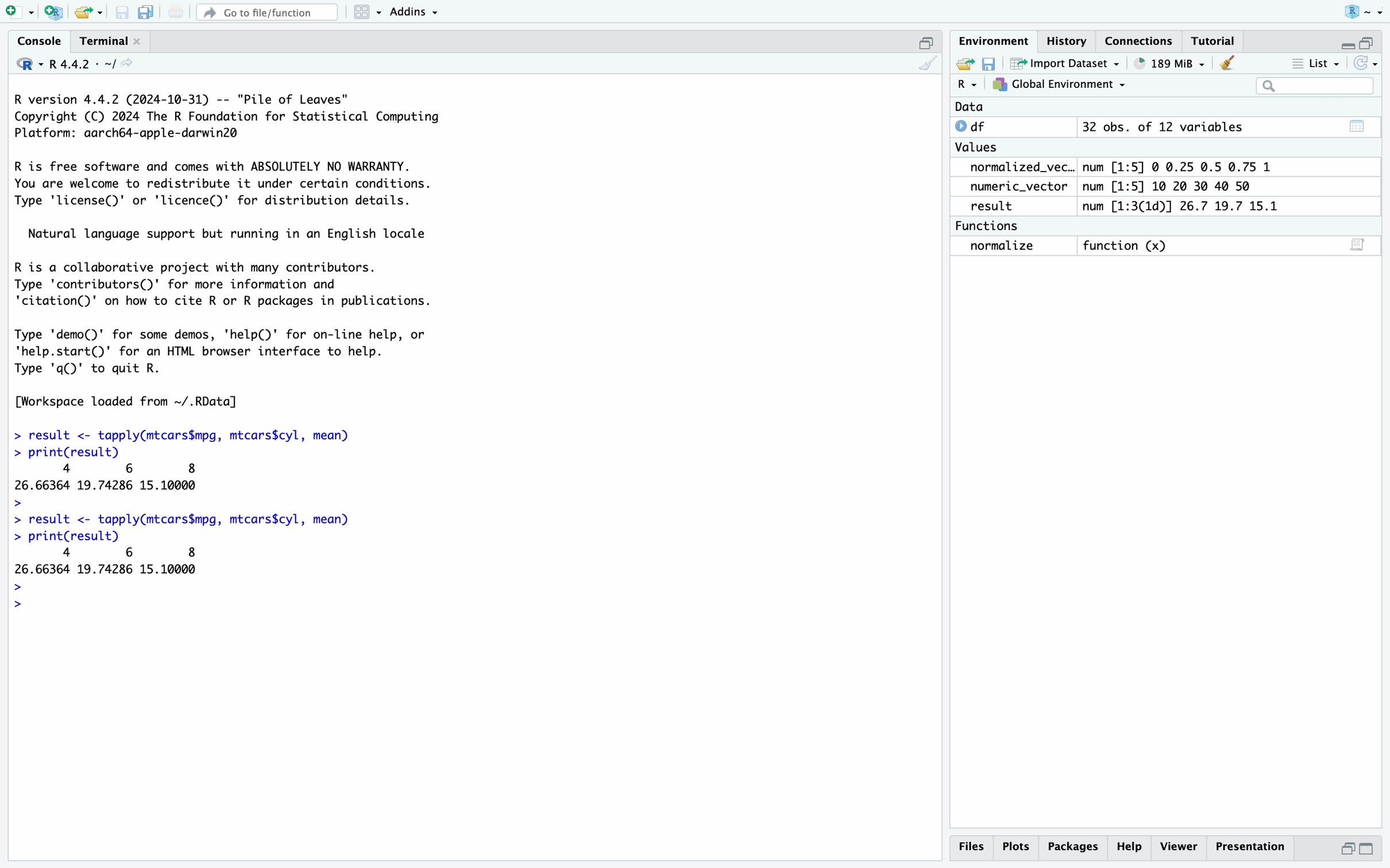 Image resolution: width=1390 pixels, height=868 pixels. Describe the element at coordinates (476, 468) in the screenshot. I see `R version 4.4.2 (2024-10-31) -- "Pile of Leaves"
Copyright (C) 2024 The R Foundation for Statistical Computing
Platform: aarch64-apple-darwin2@
R is free software and comes with ABSOLUTELY NO WARRANTY.
You are welcome to redistribute it under certain conditions.
Type 'license()' or 'licence()' for distribution details.

Natural language support but running in an English locale
R is a collaborative project with many contributors.
Type 'contributors()' for more information and
'citation()' on how to cite R or R packages in publications.
Type 'demo()' for some demos, 'help(D' for on-line help, or
'help.start()' for an HTML browser interface to help.
Type 'q()' to quit R.
[Workspace loaded from ~/.RData]
> result <- tapply(mtcars$mpg, mtcars$cyl, mean)
> print(result)

4 6 8

26.66364 19.74286 15.10000
>
> | rx` at that location.